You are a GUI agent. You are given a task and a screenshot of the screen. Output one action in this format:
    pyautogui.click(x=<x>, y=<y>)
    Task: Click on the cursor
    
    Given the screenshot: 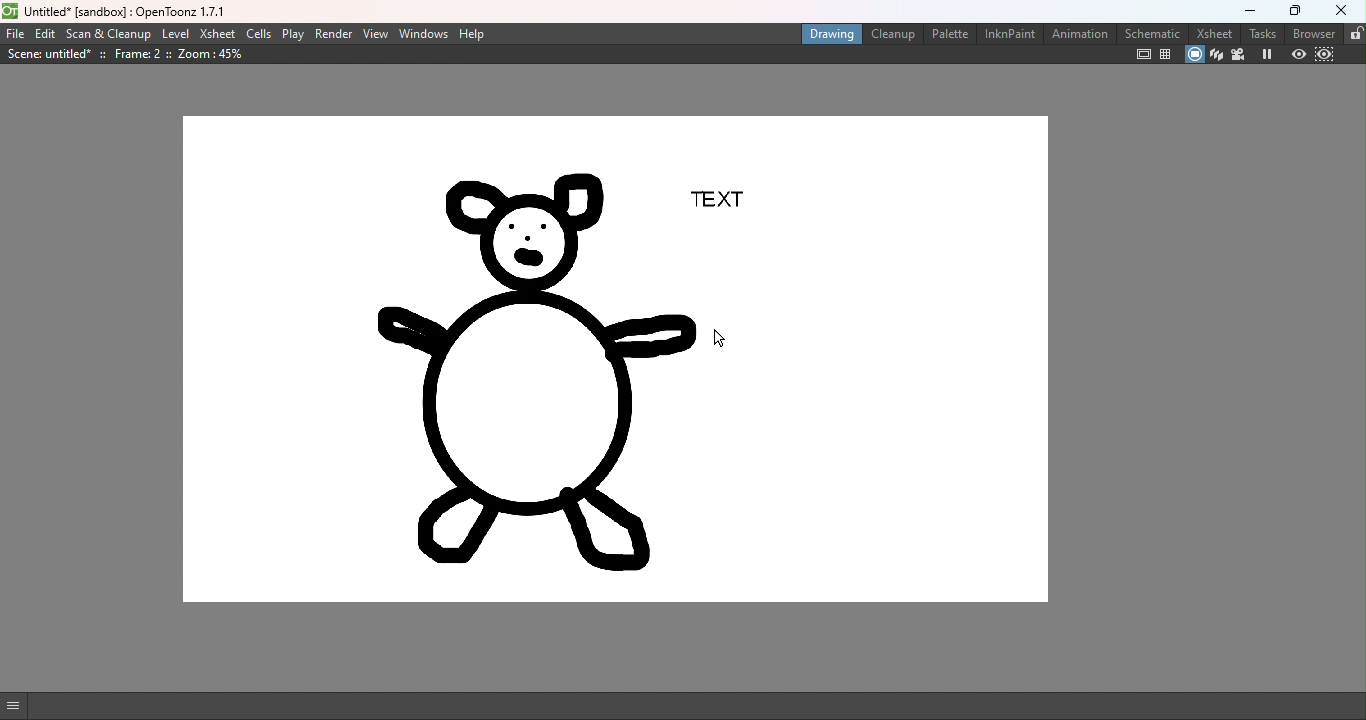 What is the action you would take?
    pyautogui.click(x=718, y=339)
    